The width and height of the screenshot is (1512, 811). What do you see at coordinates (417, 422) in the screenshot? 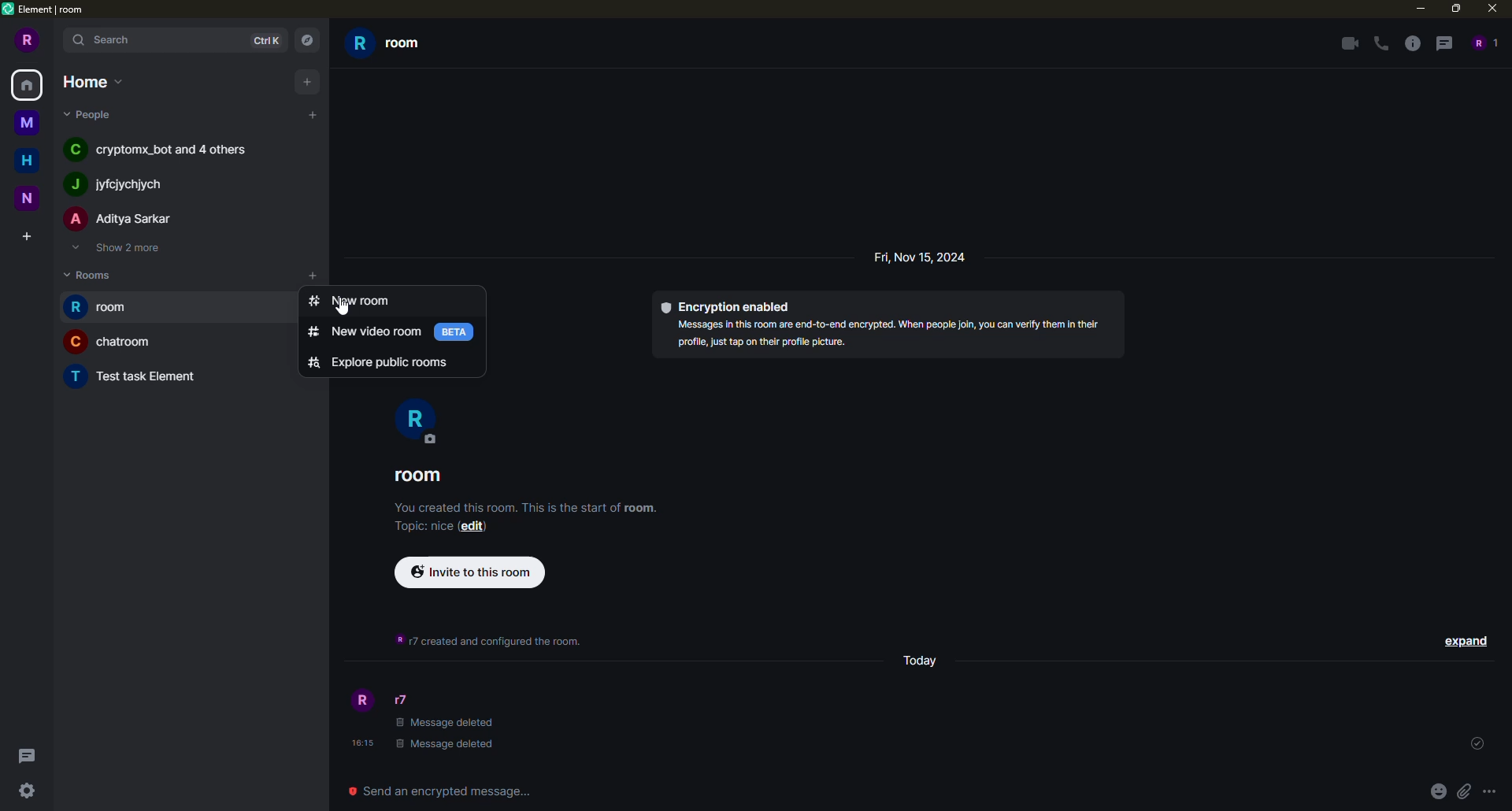
I see `profile` at bounding box center [417, 422].